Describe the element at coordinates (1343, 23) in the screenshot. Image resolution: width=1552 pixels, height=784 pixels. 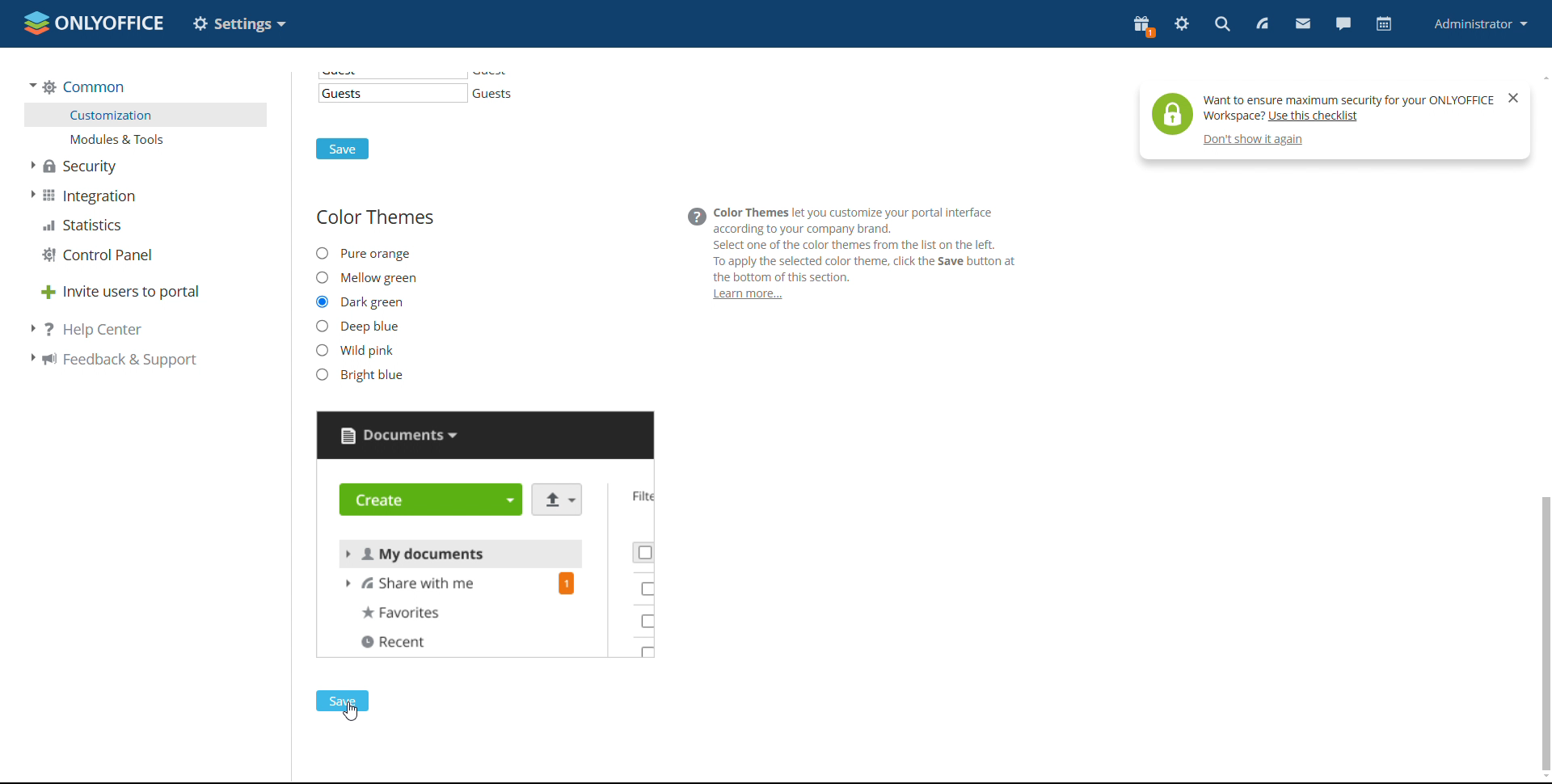
I see `chat` at that location.